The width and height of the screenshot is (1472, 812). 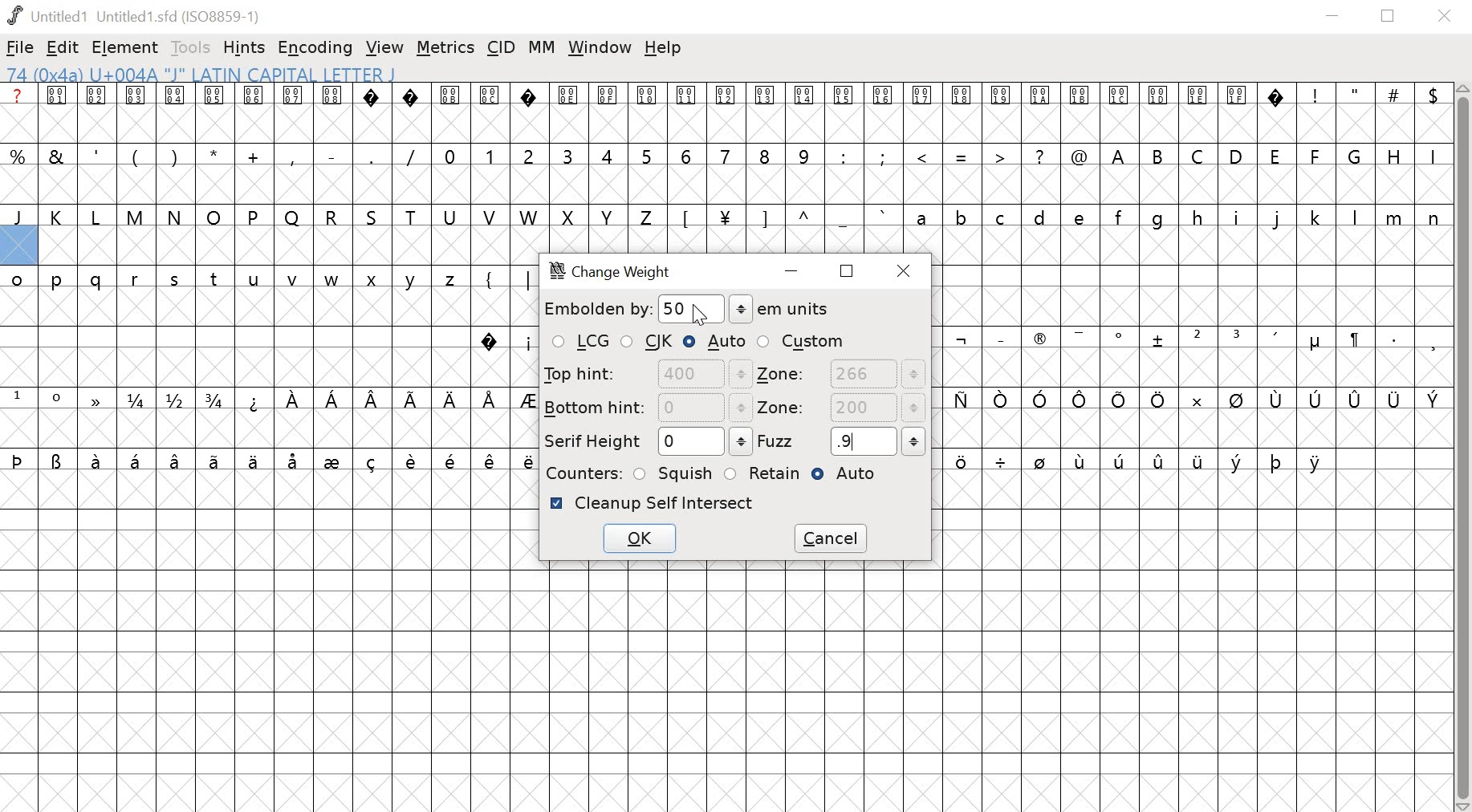 What do you see at coordinates (1176, 217) in the screenshot?
I see `lower case letter` at bounding box center [1176, 217].